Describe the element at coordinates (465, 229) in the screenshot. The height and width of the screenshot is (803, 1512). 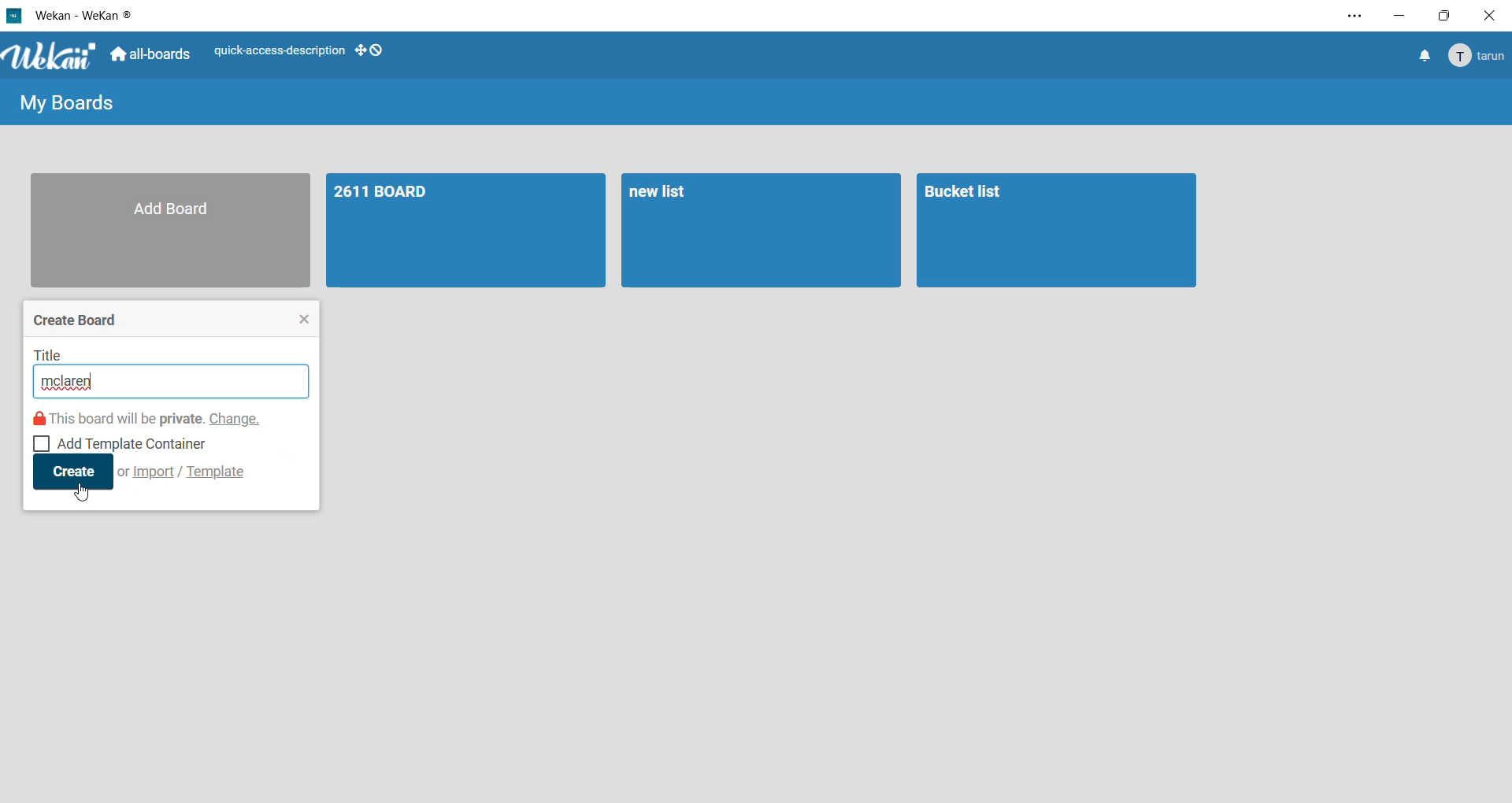
I see `board 1` at that location.